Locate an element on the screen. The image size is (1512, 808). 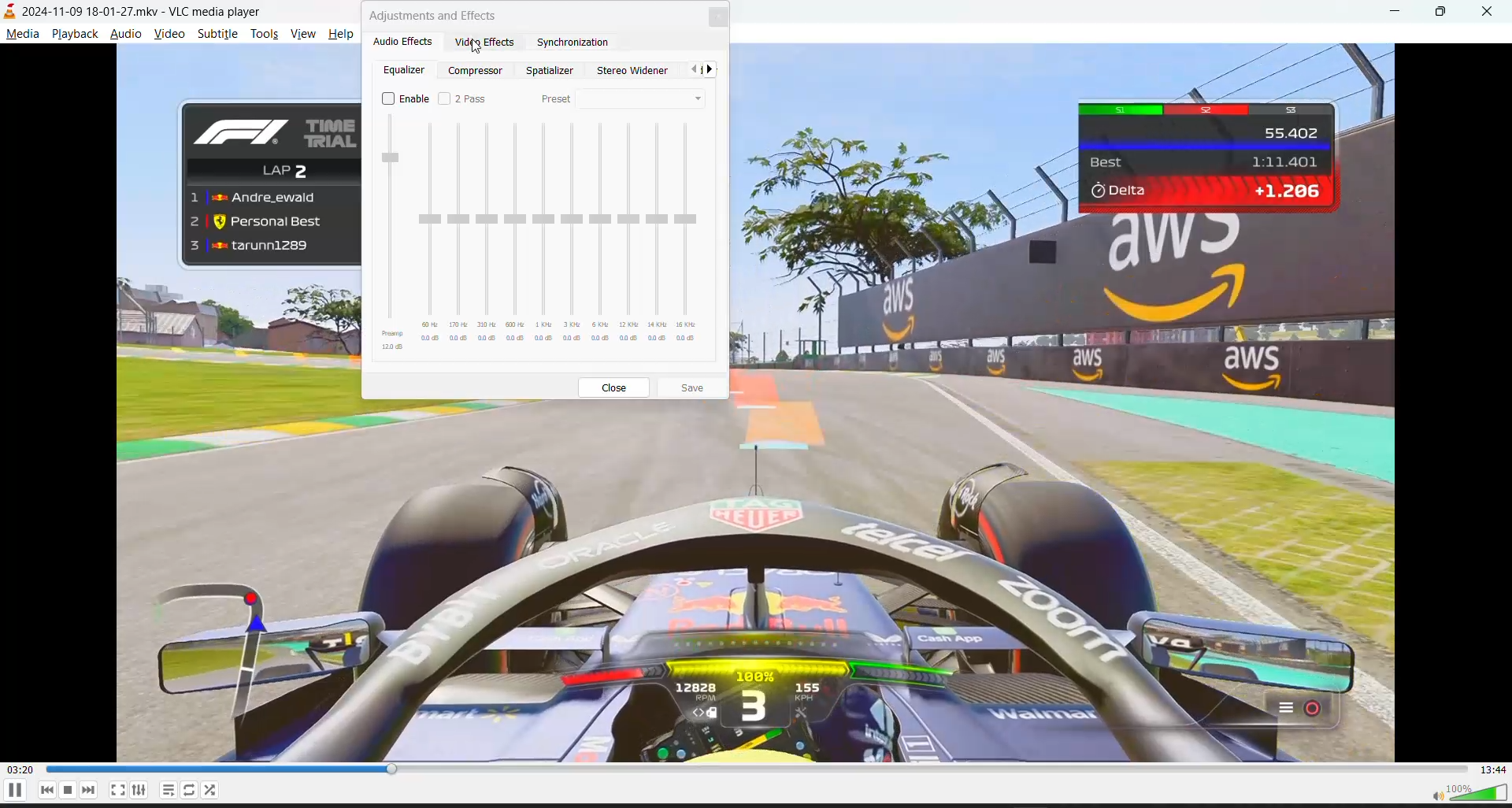
loop is located at coordinates (210, 791).